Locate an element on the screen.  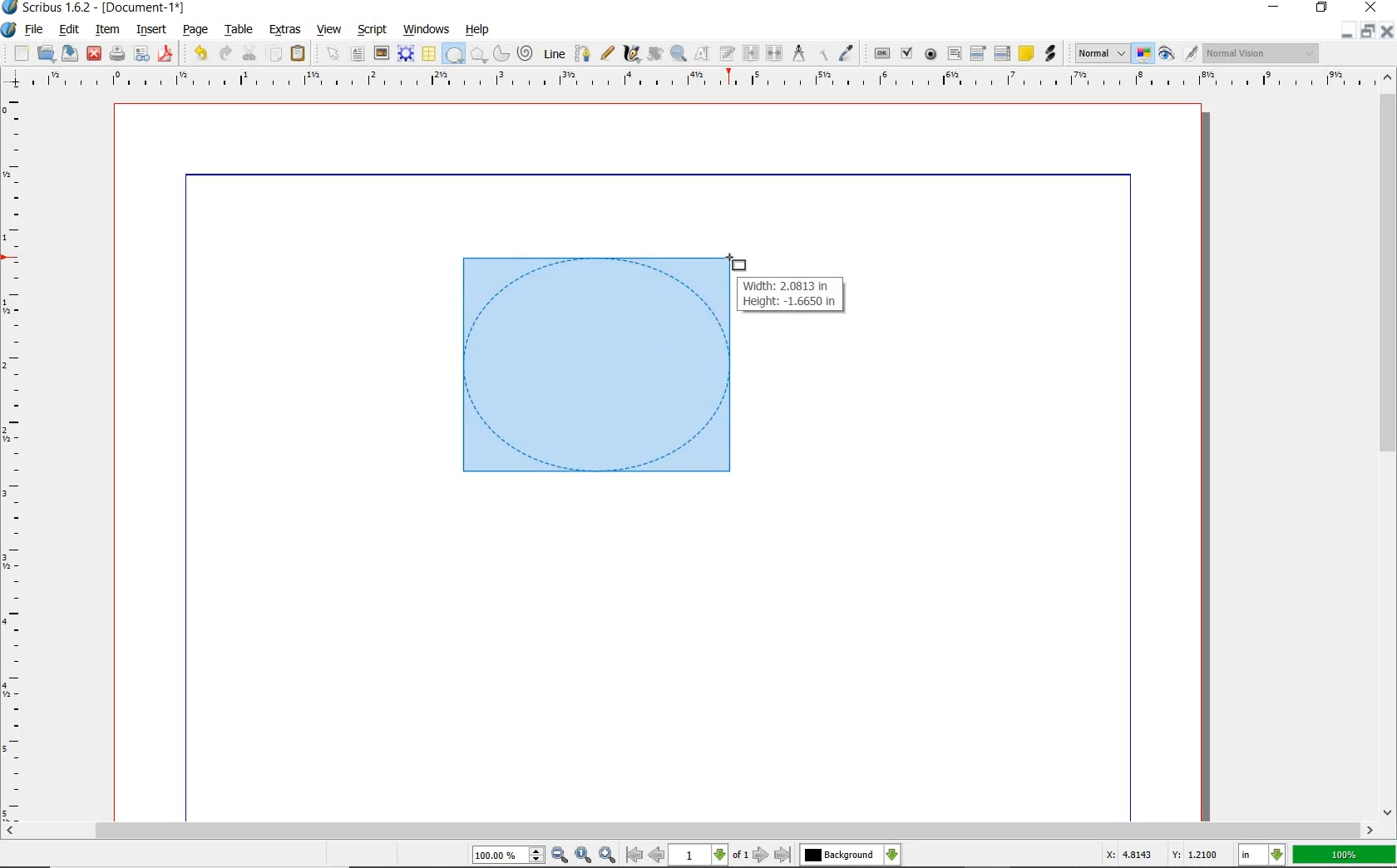
SPIRAL is located at coordinates (524, 54).